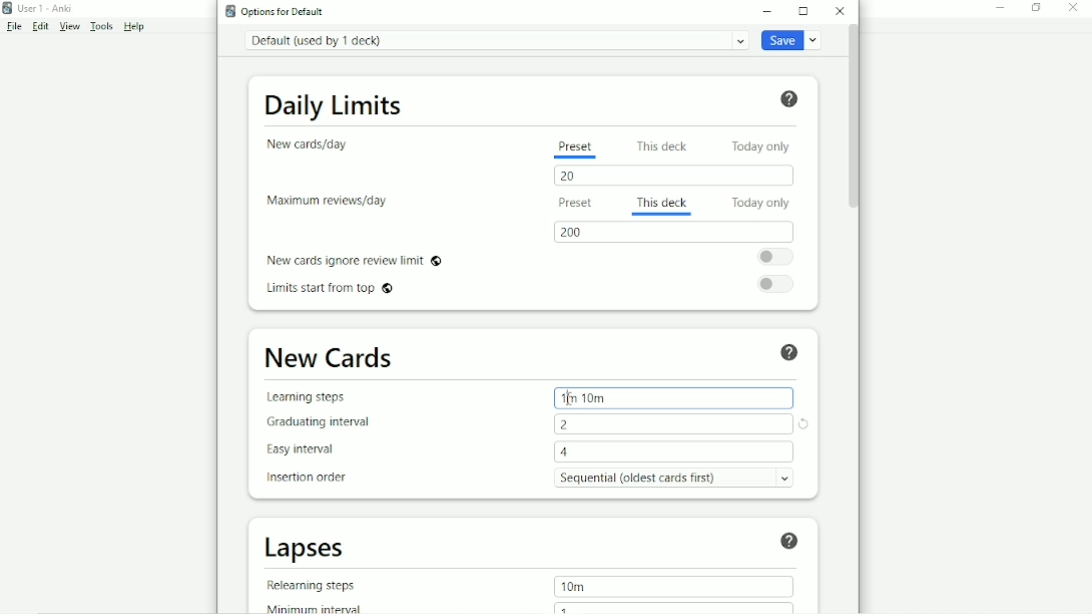 The width and height of the screenshot is (1092, 614). Describe the element at coordinates (676, 395) in the screenshot. I see `1m10m` at that location.